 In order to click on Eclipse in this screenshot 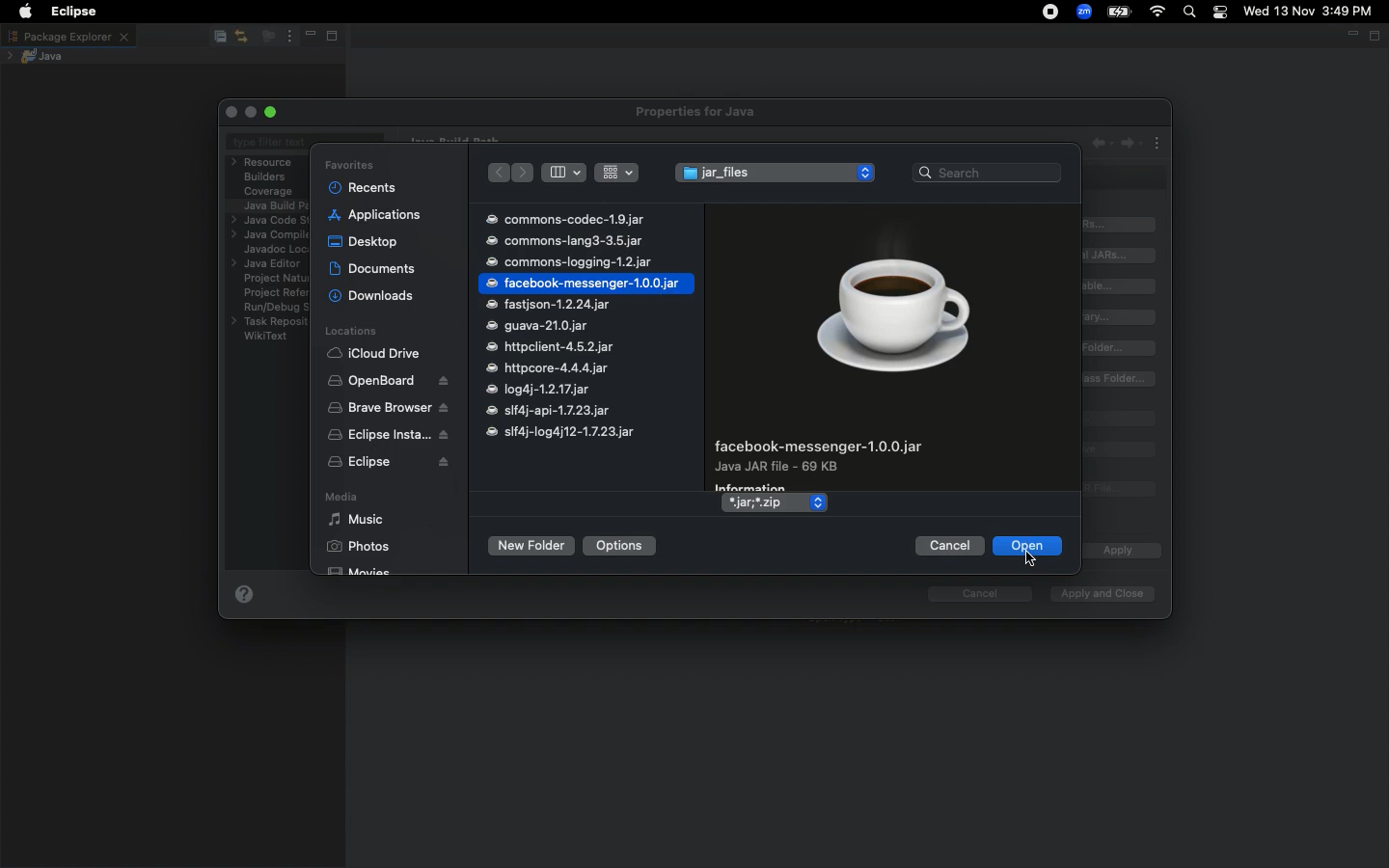, I will do `click(69, 12)`.